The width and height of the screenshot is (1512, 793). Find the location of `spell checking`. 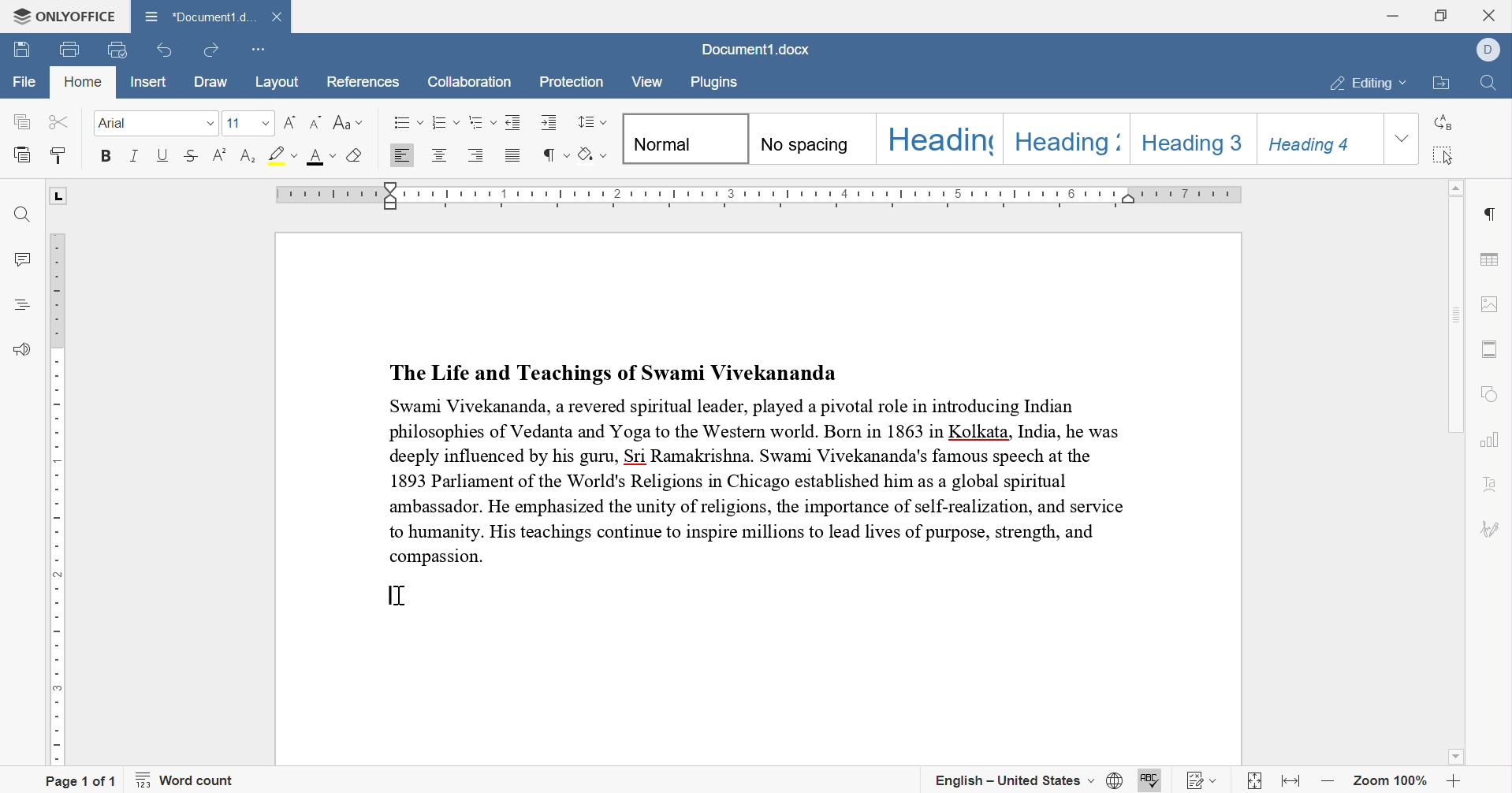

spell checking is located at coordinates (1149, 782).